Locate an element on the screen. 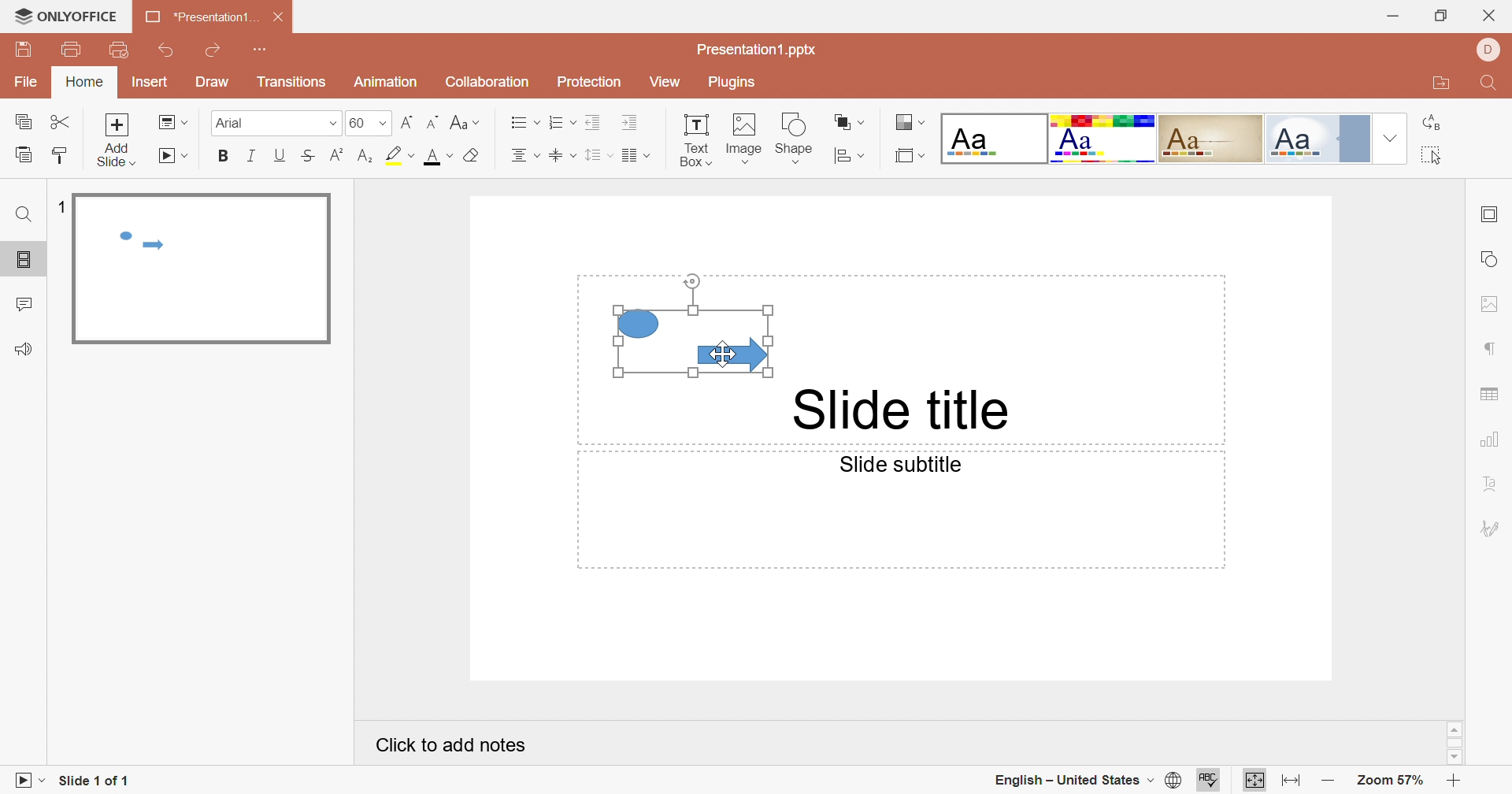  Start Slideshow is located at coordinates (23, 781).